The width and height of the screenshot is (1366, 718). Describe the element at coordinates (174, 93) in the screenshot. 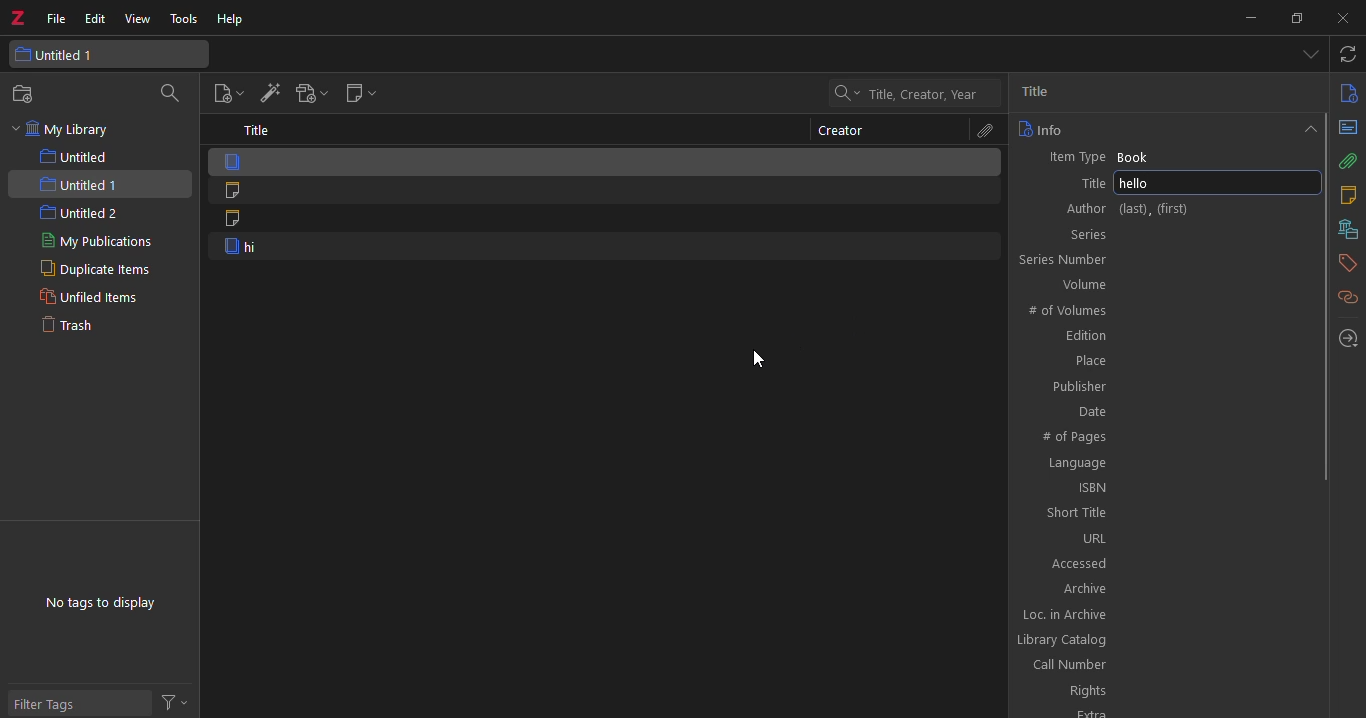

I see `search` at that location.